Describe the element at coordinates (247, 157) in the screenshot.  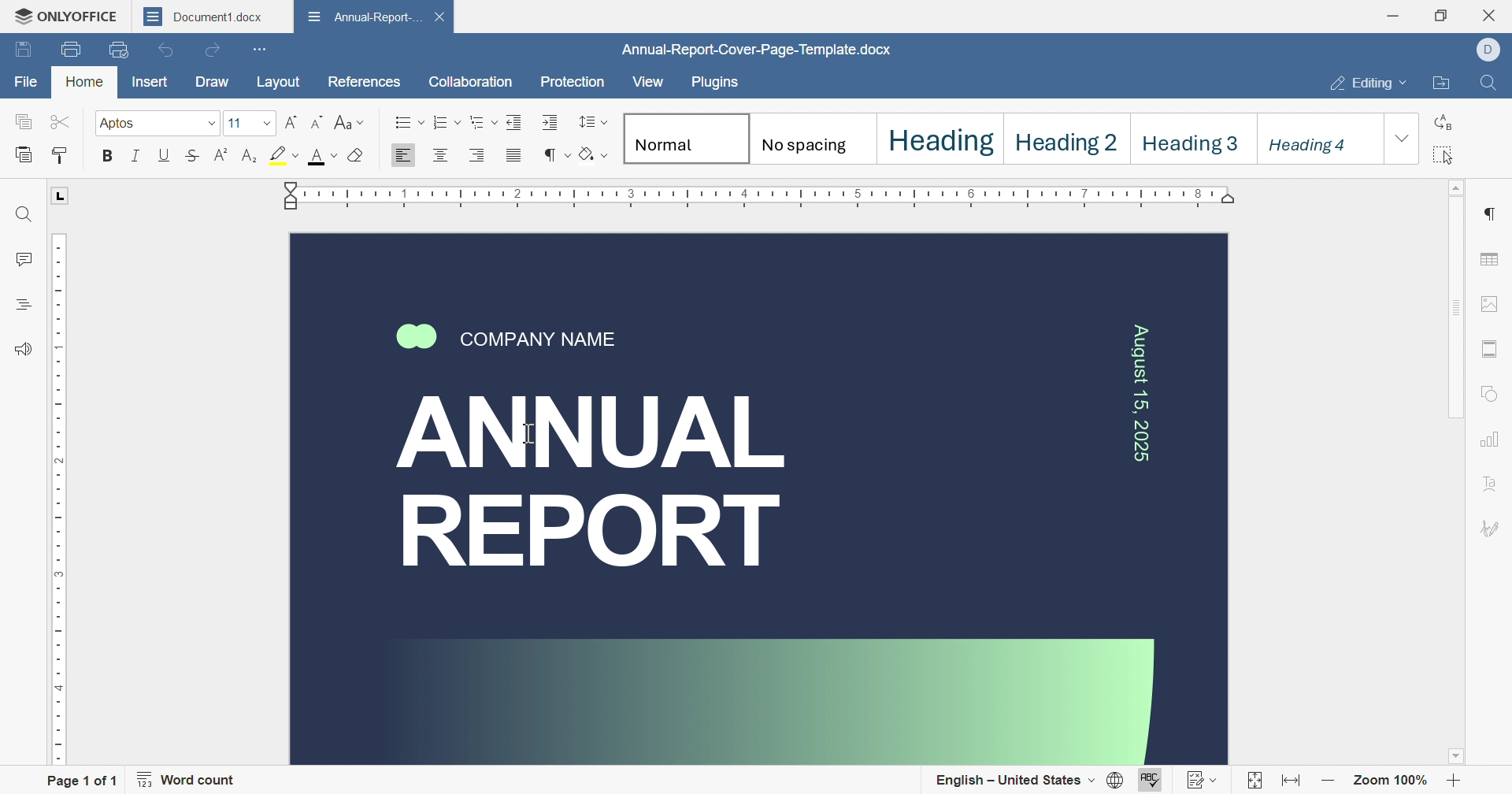
I see `subscript` at that location.